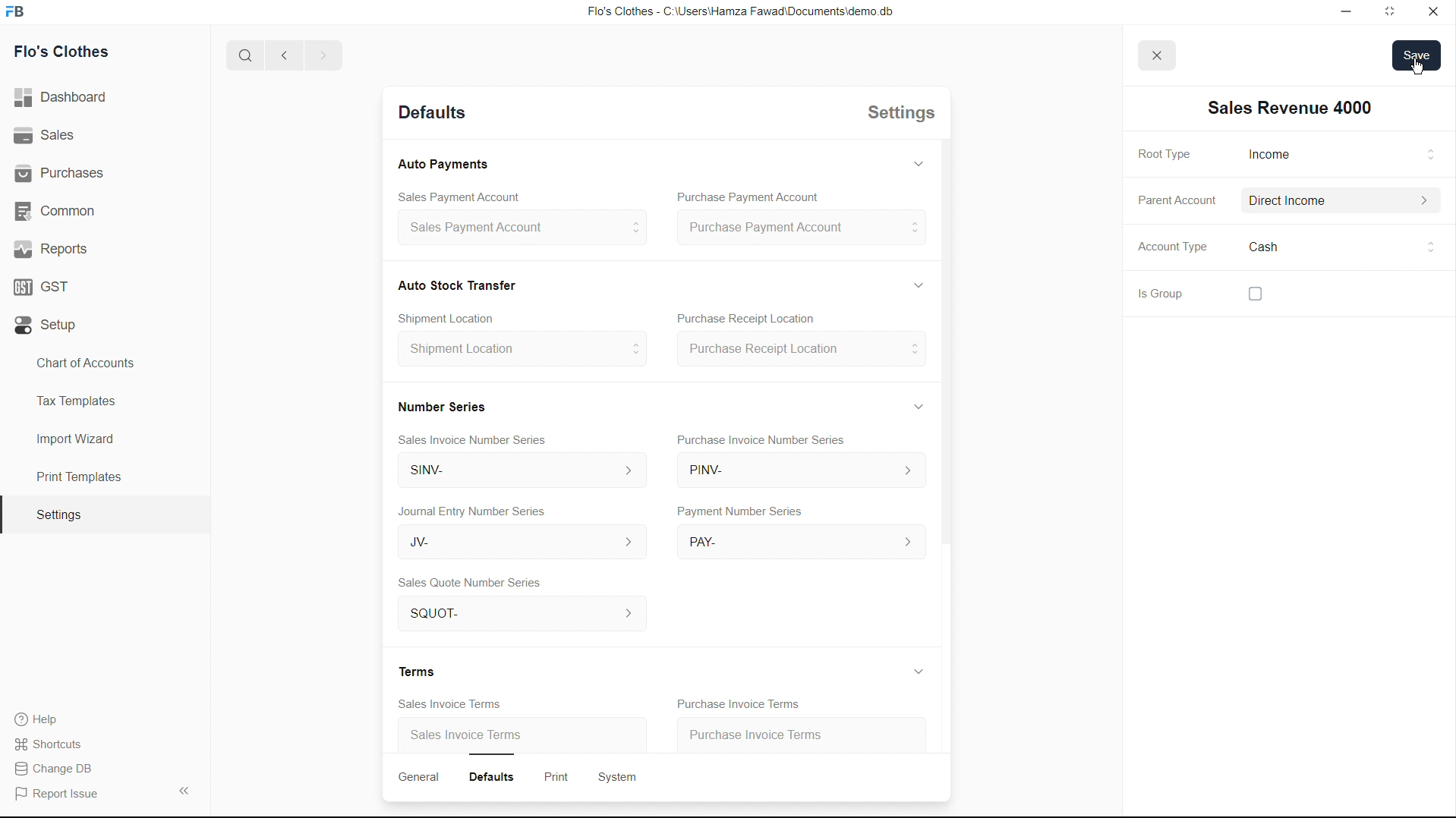 This screenshot has height=818, width=1456. What do you see at coordinates (1417, 56) in the screenshot?
I see `save` at bounding box center [1417, 56].